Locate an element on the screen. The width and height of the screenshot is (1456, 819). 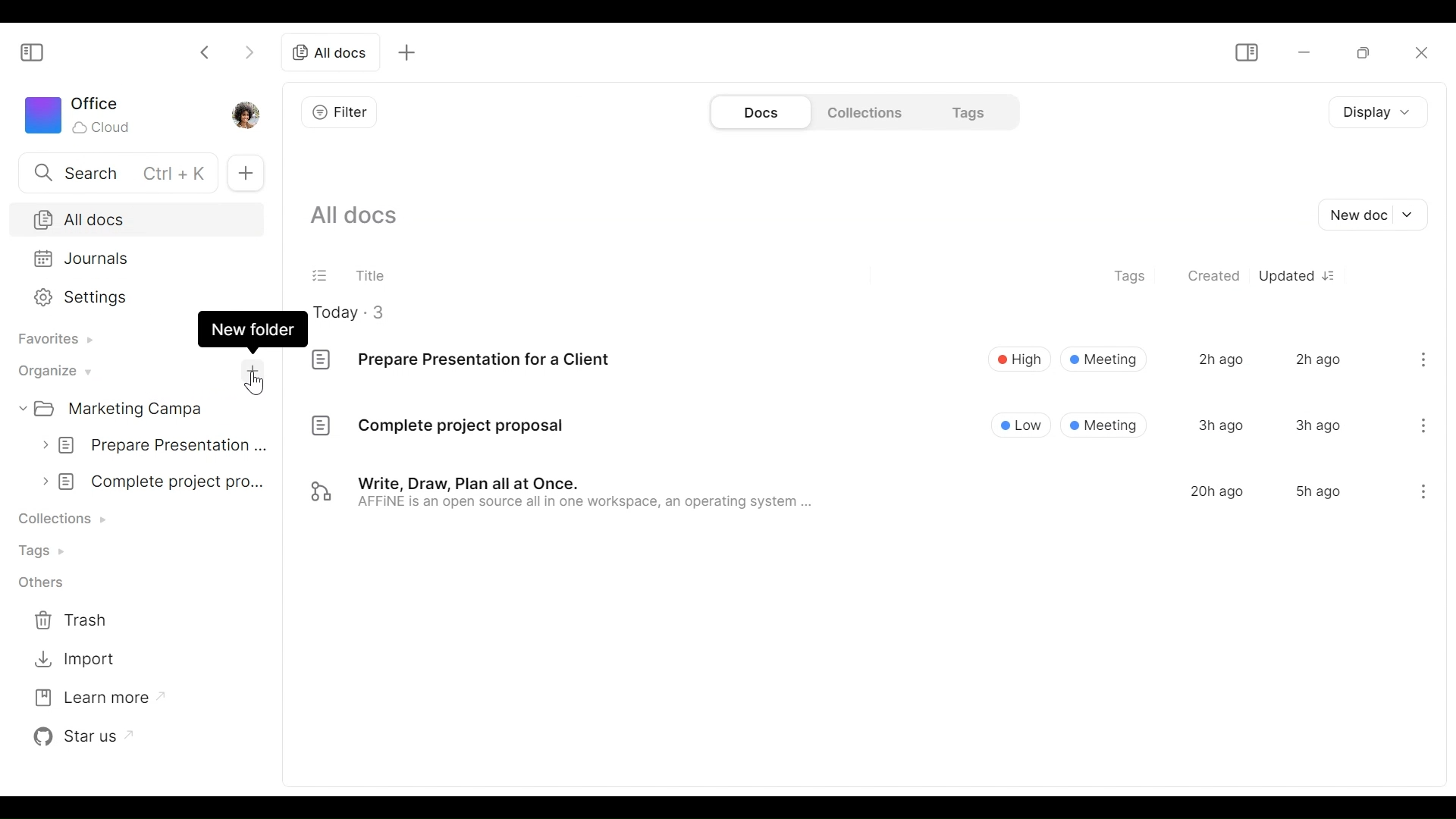
Click to go back is located at coordinates (206, 51).